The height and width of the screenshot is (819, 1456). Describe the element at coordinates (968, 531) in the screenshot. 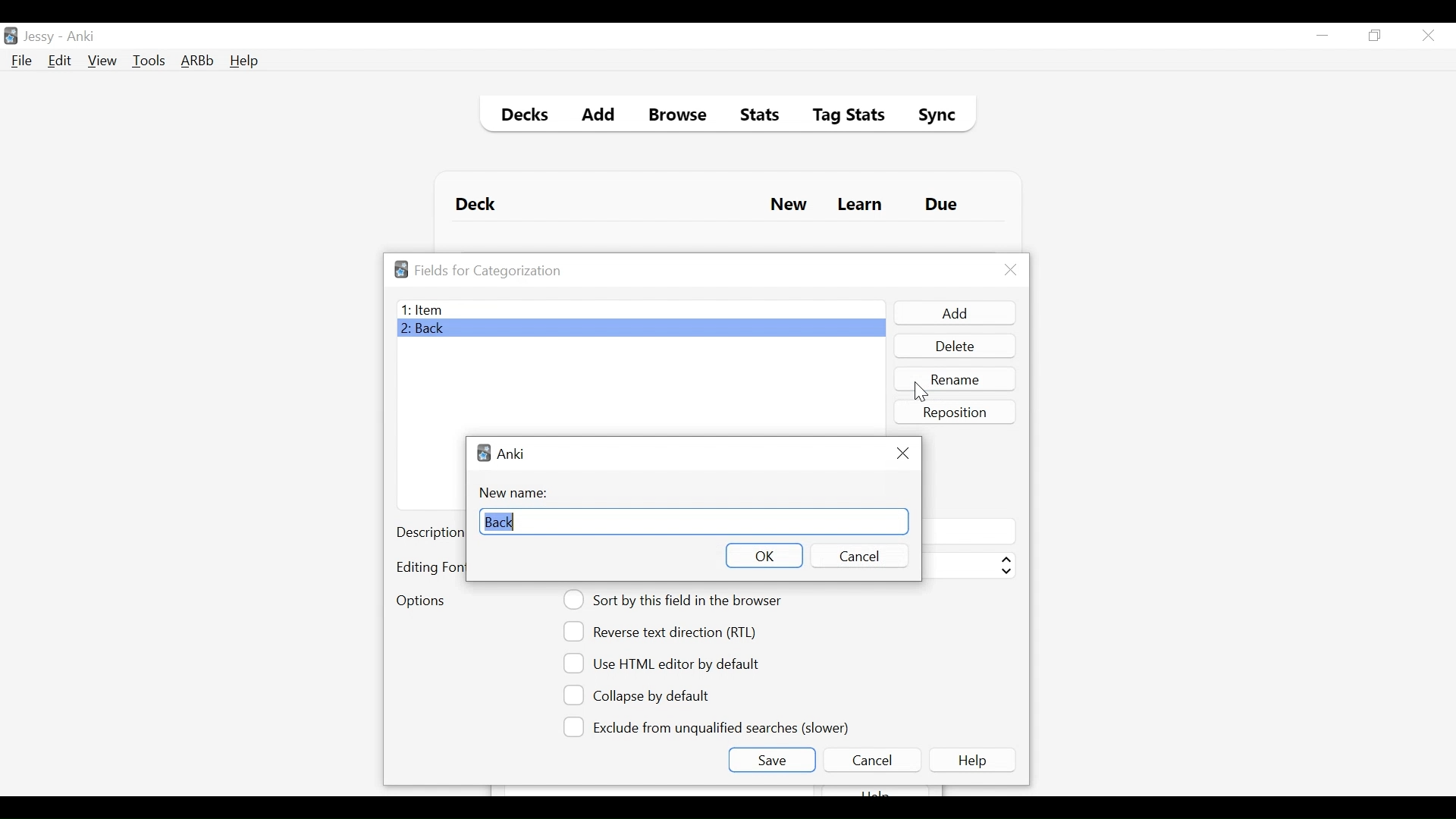

I see `Text to Show inside the field when empty` at that location.